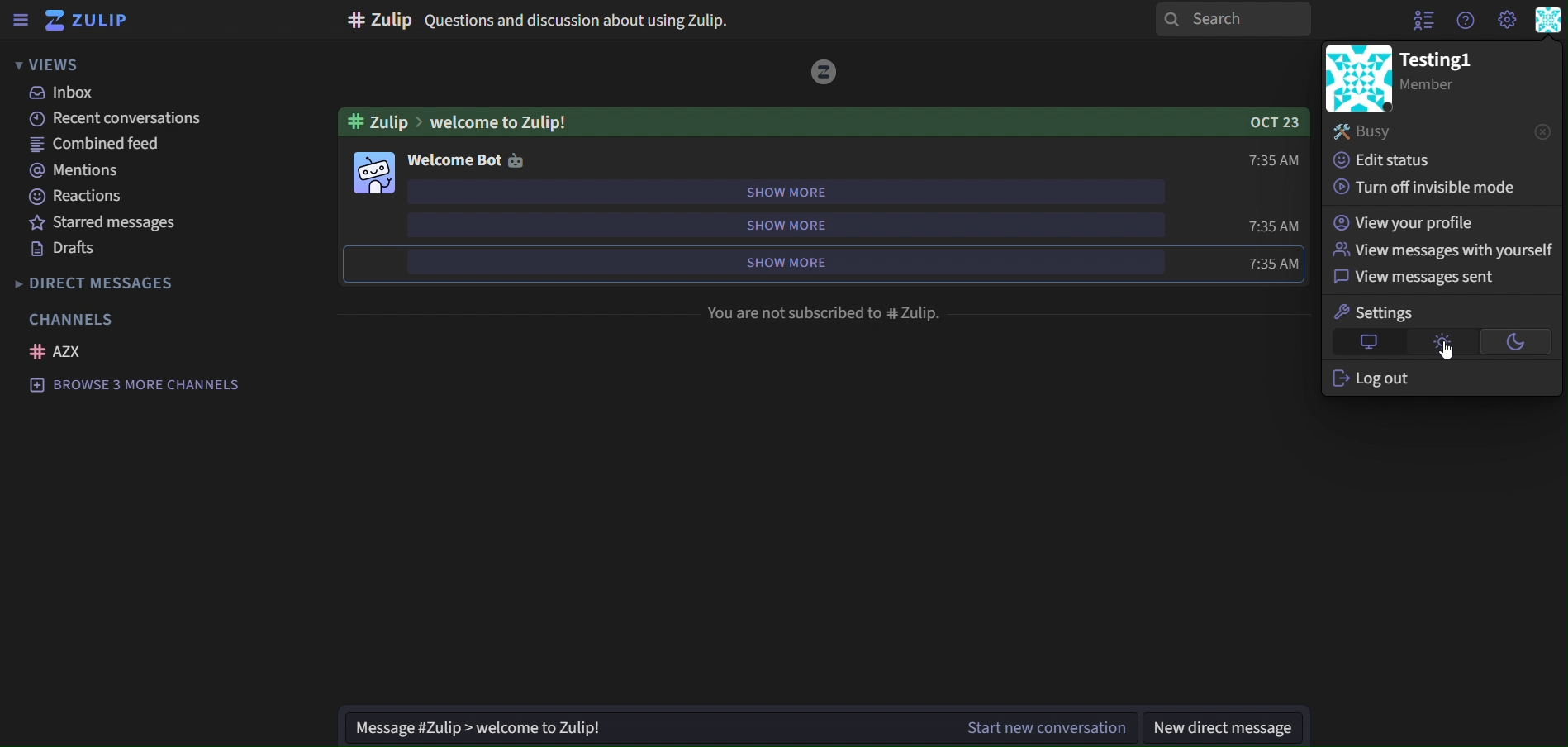 Image resolution: width=1568 pixels, height=747 pixels. Describe the element at coordinates (138, 387) in the screenshot. I see `browse 3 more channels` at that location.